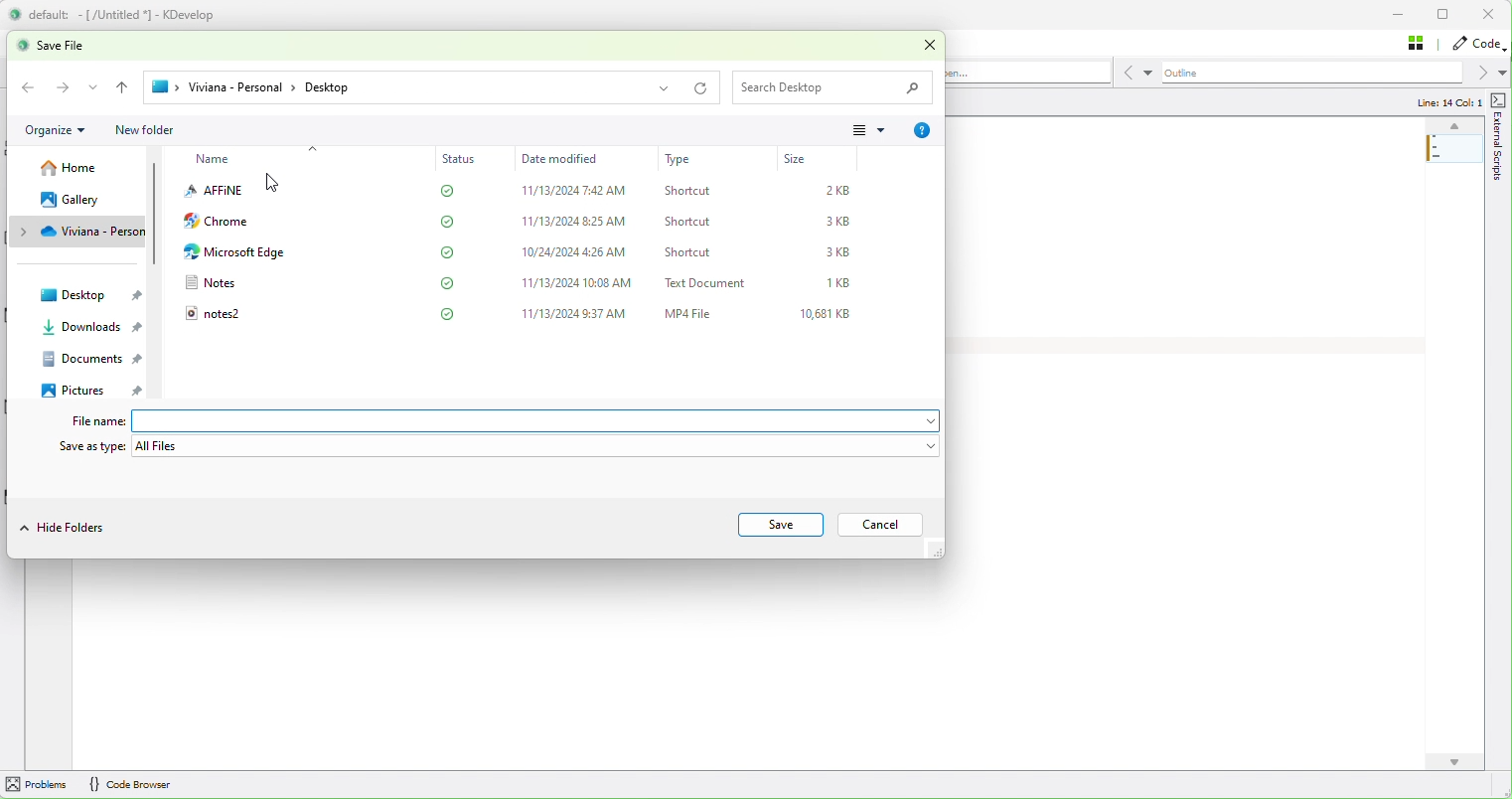 The height and width of the screenshot is (799, 1512). I want to click on Documents, so click(89, 359).